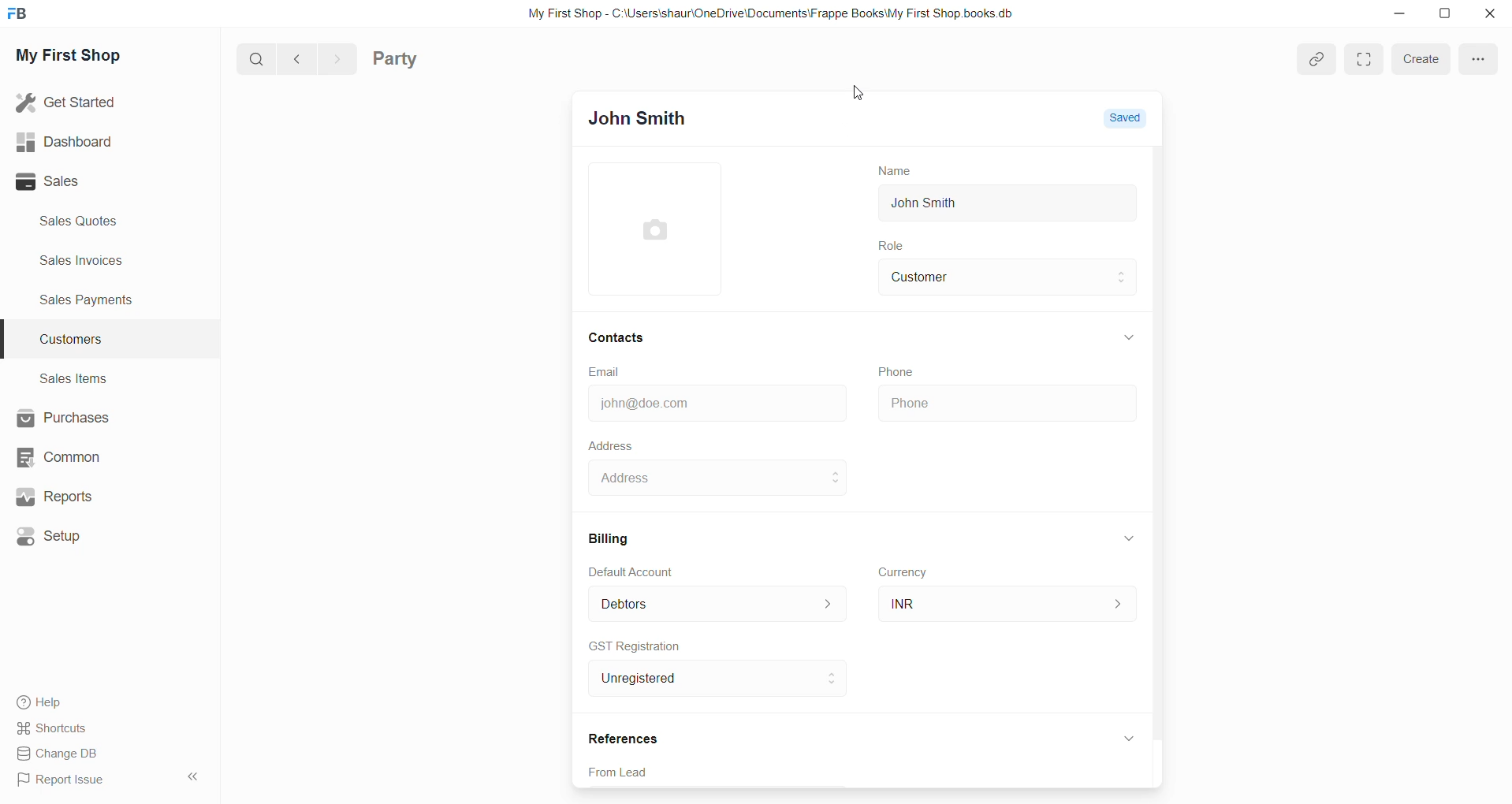 The image size is (1512, 804). I want to click on Default account , so click(693, 602).